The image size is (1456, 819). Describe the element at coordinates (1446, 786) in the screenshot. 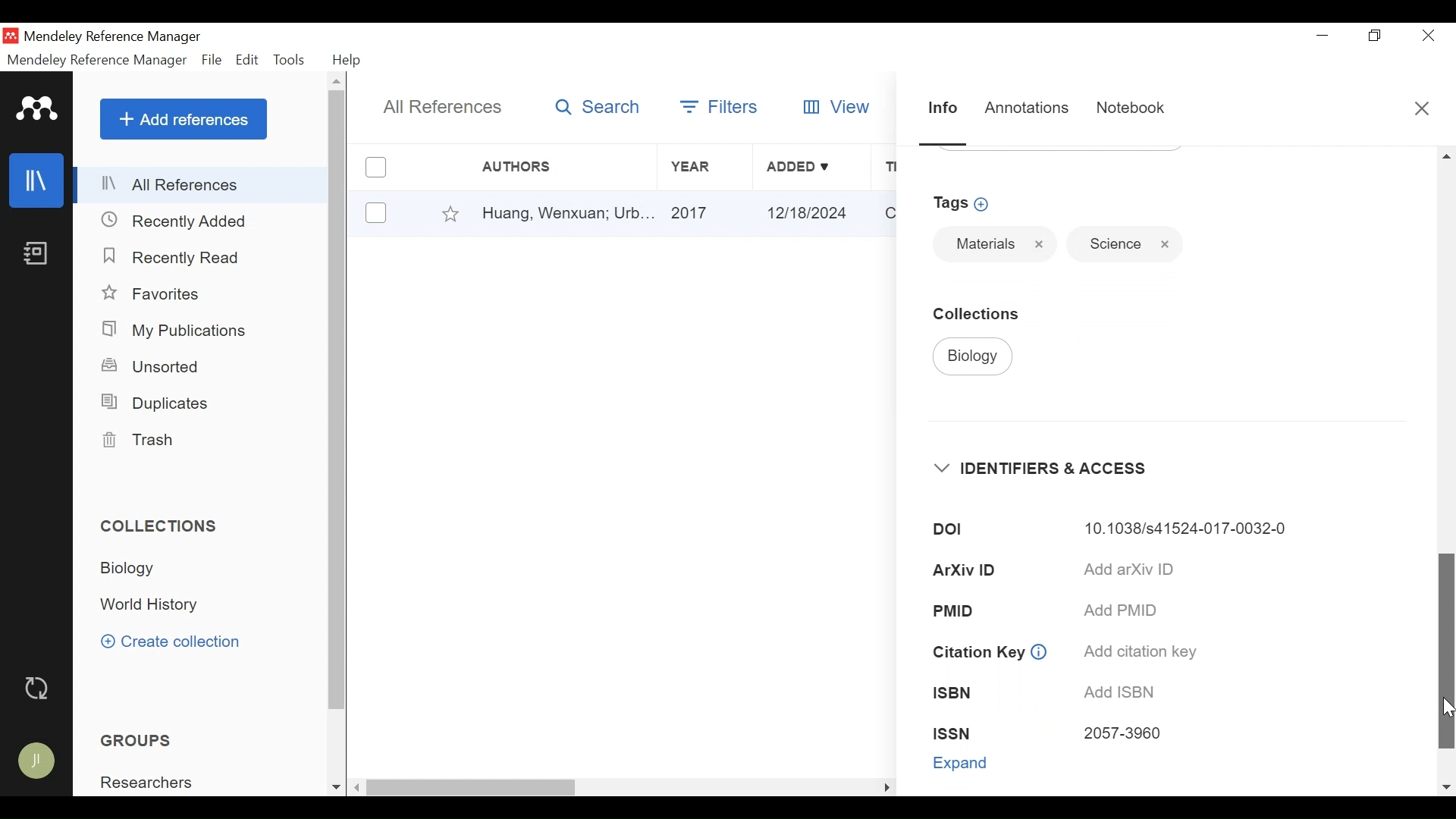

I see `Scroll down` at that location.